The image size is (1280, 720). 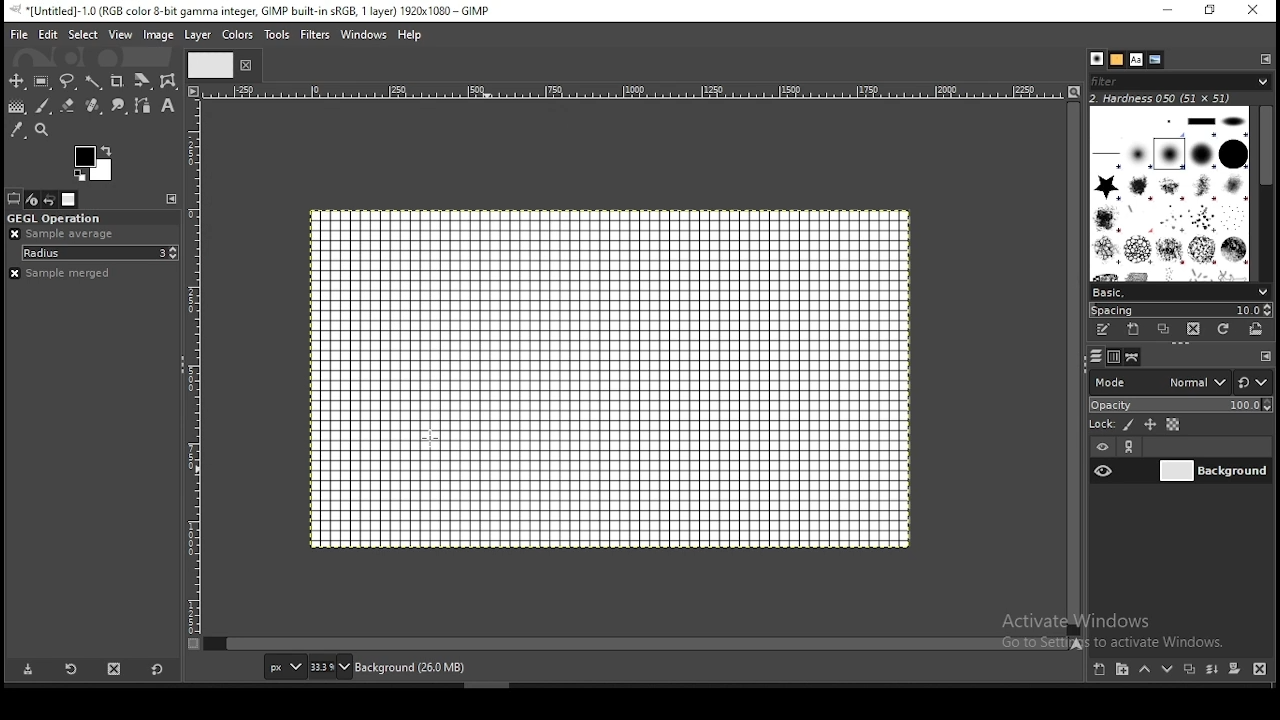 I want to click on tools, so click(x=280, y=35).